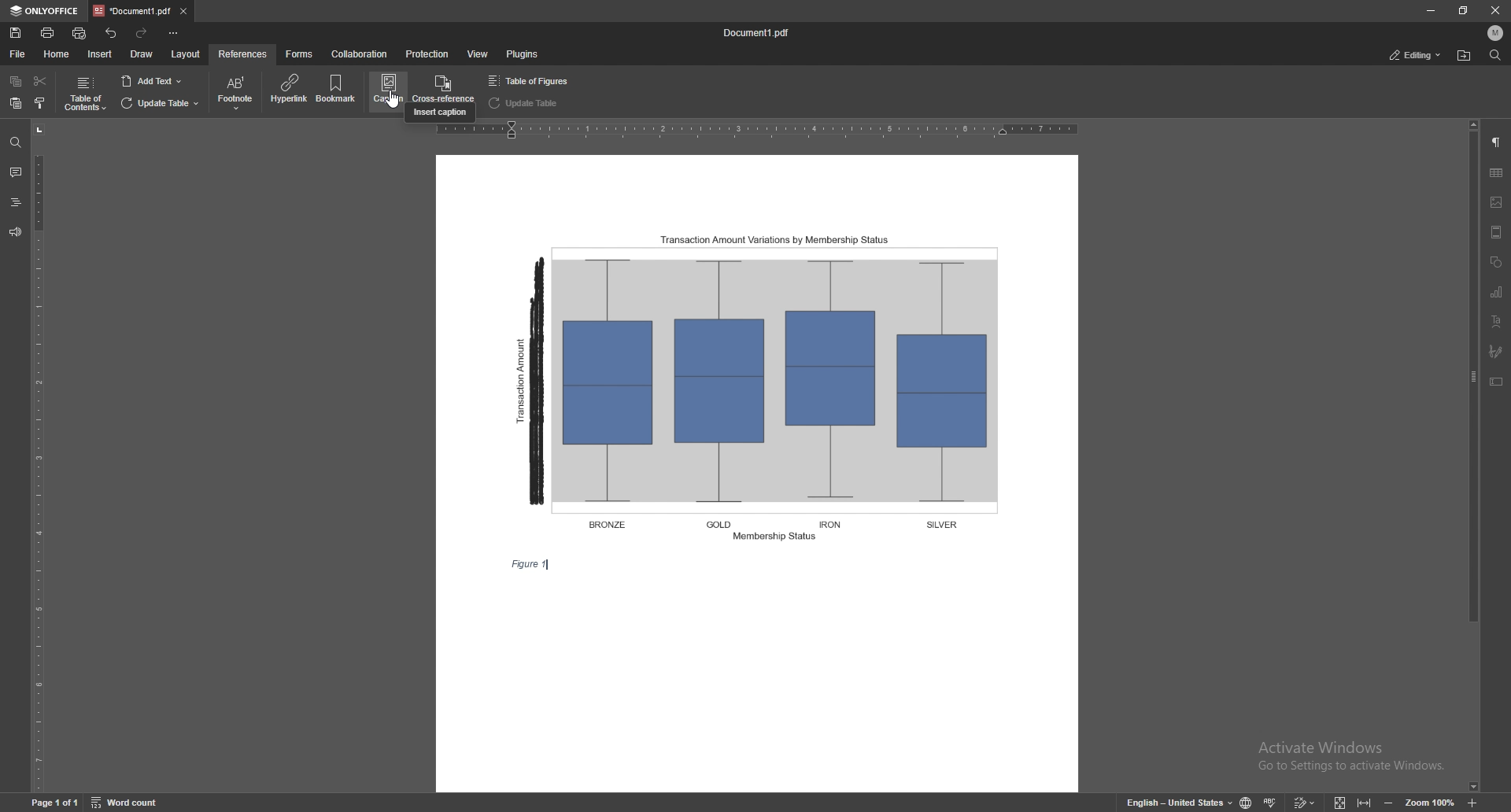  Describe the element at coordinates (1305, 802) in the screenshot. I see `track changes` at that location.